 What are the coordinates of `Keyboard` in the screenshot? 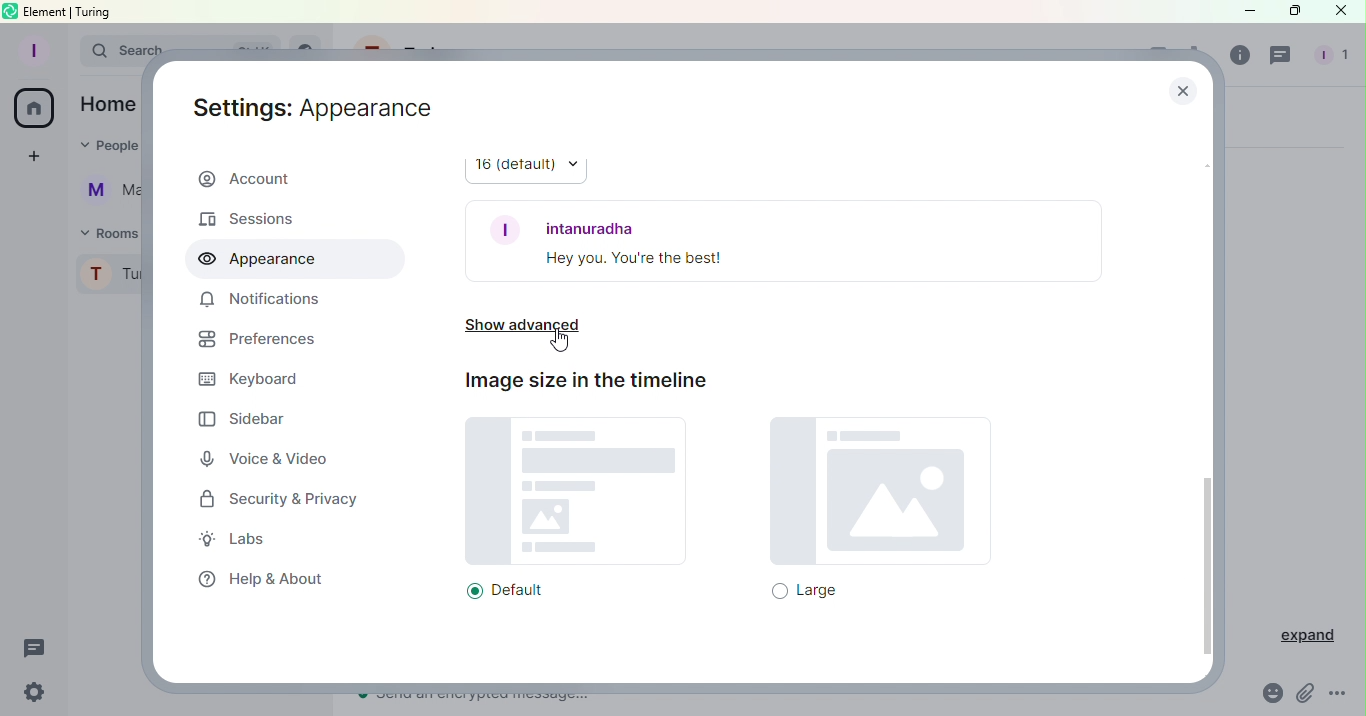 It's located at (266, 380).